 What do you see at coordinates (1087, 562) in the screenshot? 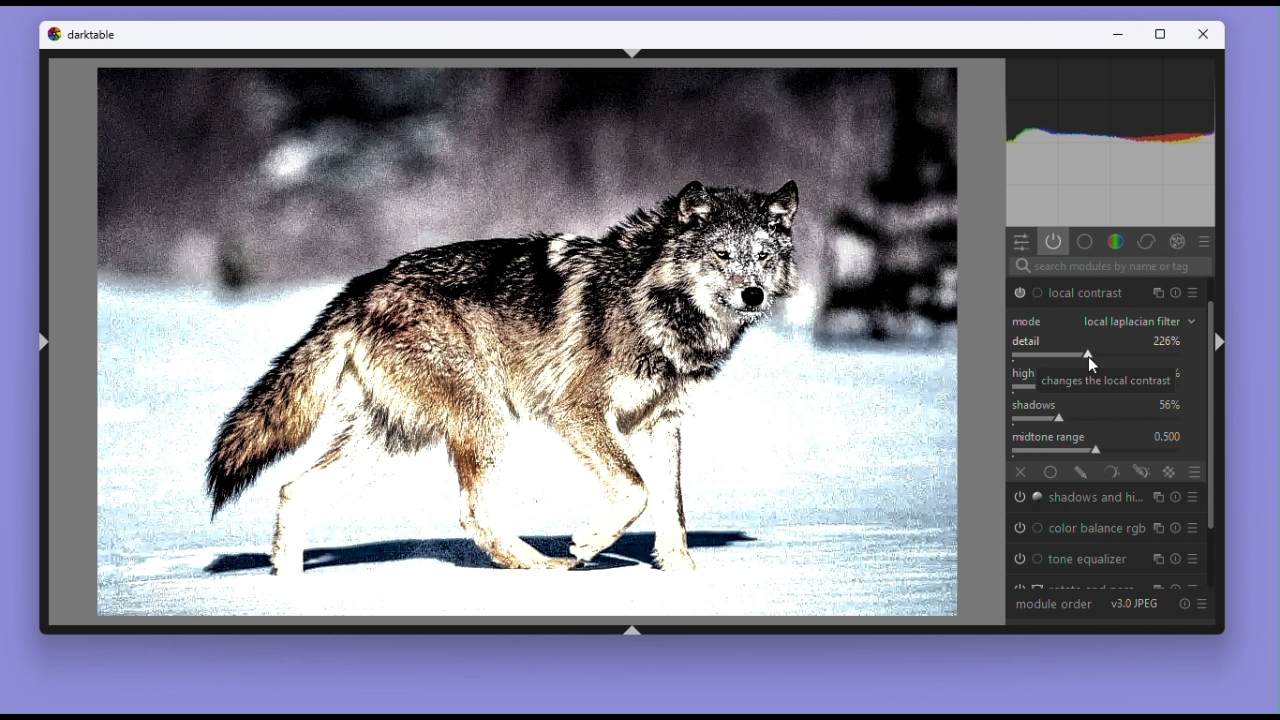
I see `Tone equalizer` at bounding box center [1087, 562].